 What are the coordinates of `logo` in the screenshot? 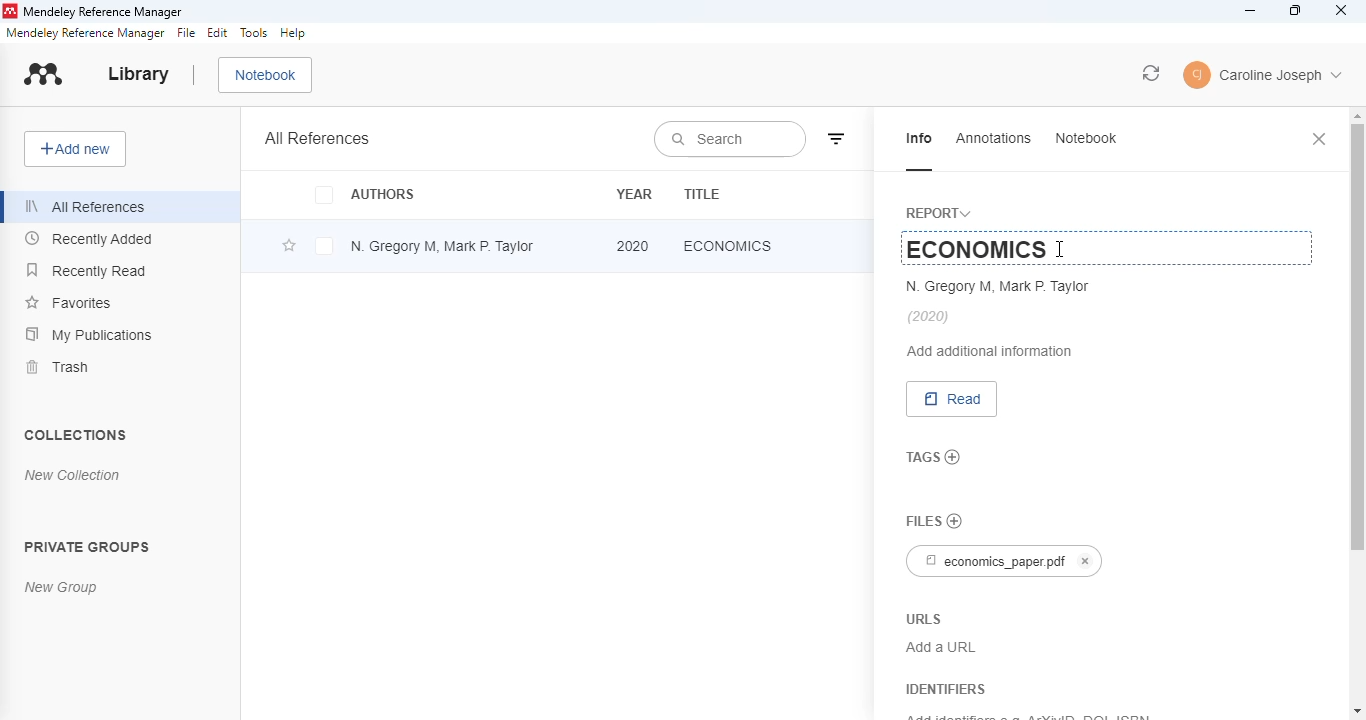 It's located at (43, 73).